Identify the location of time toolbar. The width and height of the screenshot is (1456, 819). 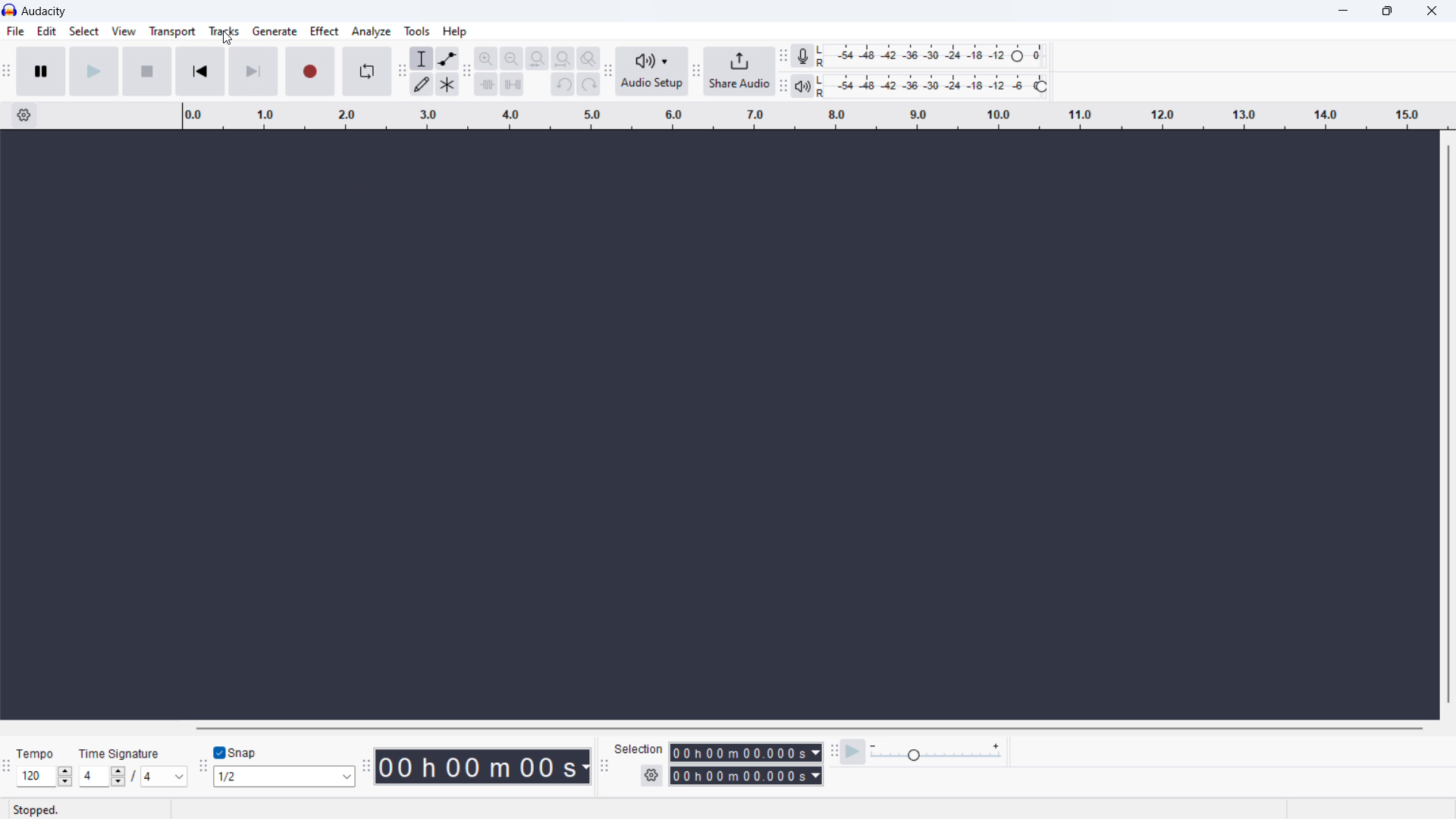
(366, 762).